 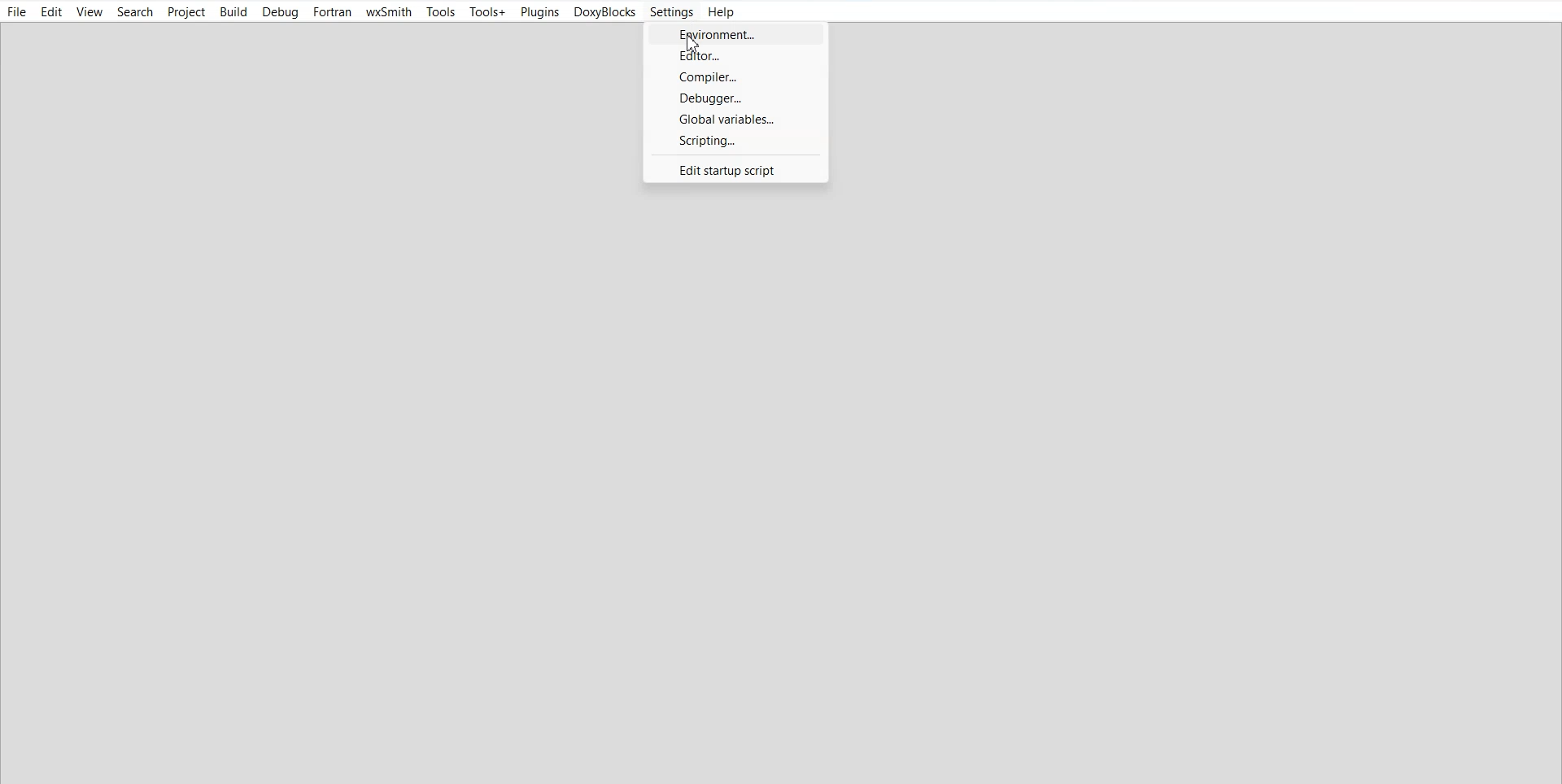 What do you see at coordinates (671, 12) in the screenshot?
I see `Setting` at bounding box center [671, 12].